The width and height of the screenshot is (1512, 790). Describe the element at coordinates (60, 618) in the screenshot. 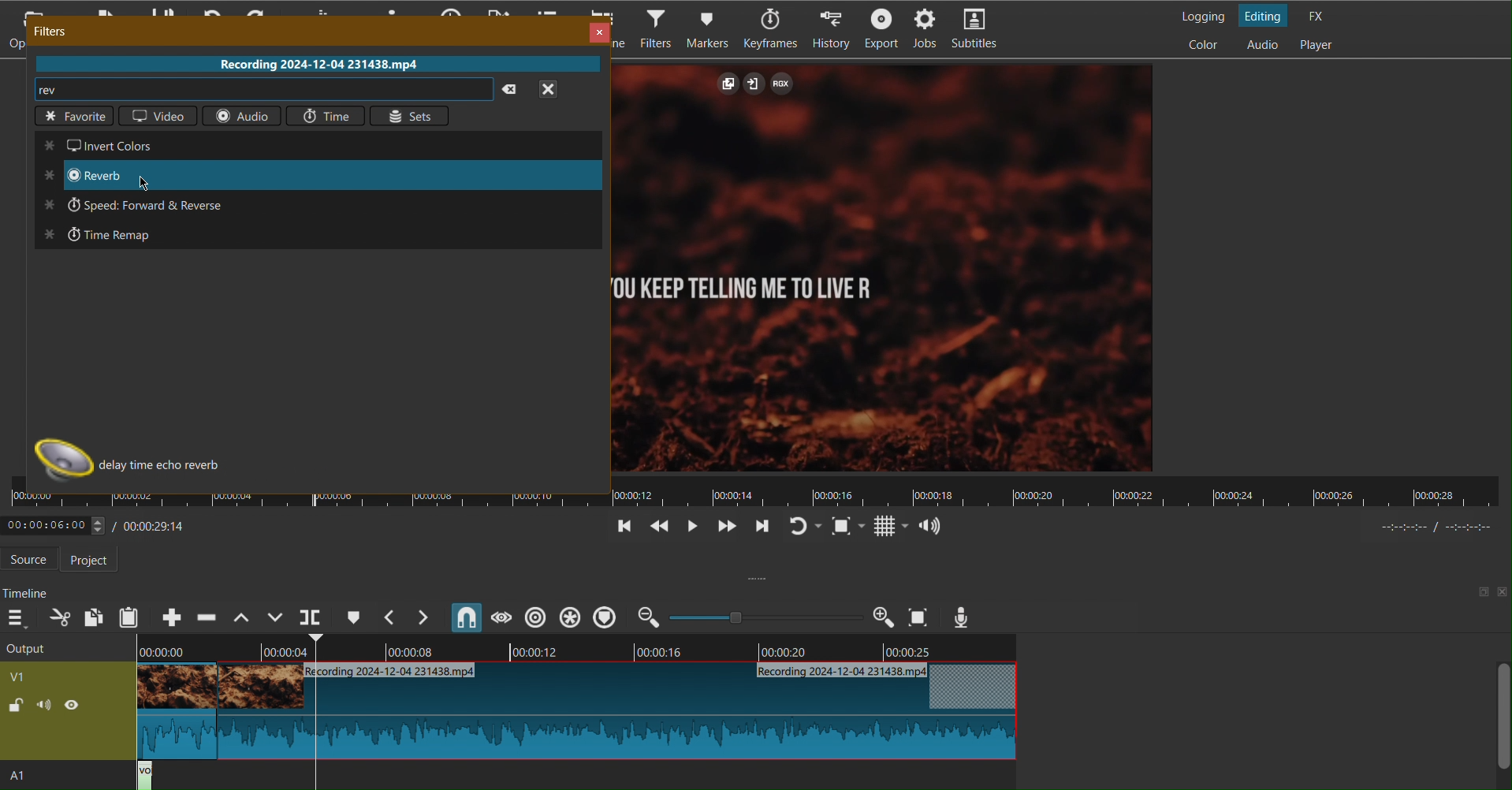

I see `Cut` at that location.